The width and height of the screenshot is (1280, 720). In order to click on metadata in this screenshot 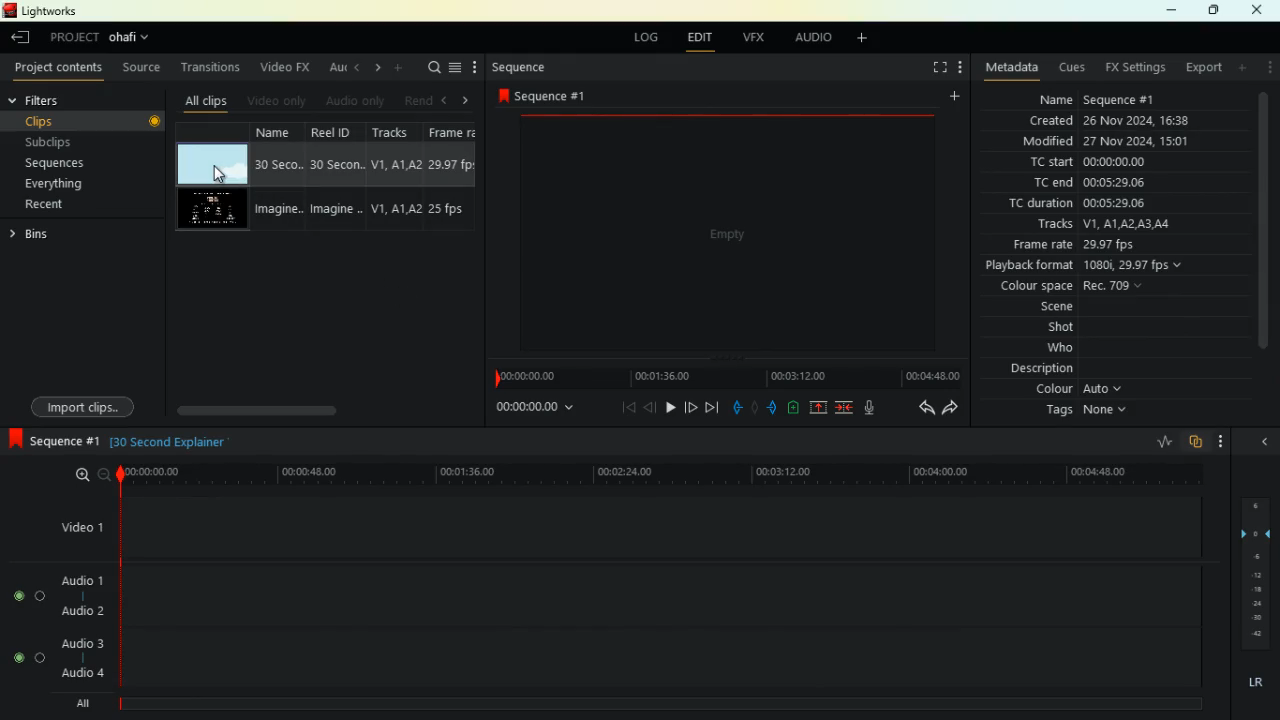, I will do `click(1012, 68)`.